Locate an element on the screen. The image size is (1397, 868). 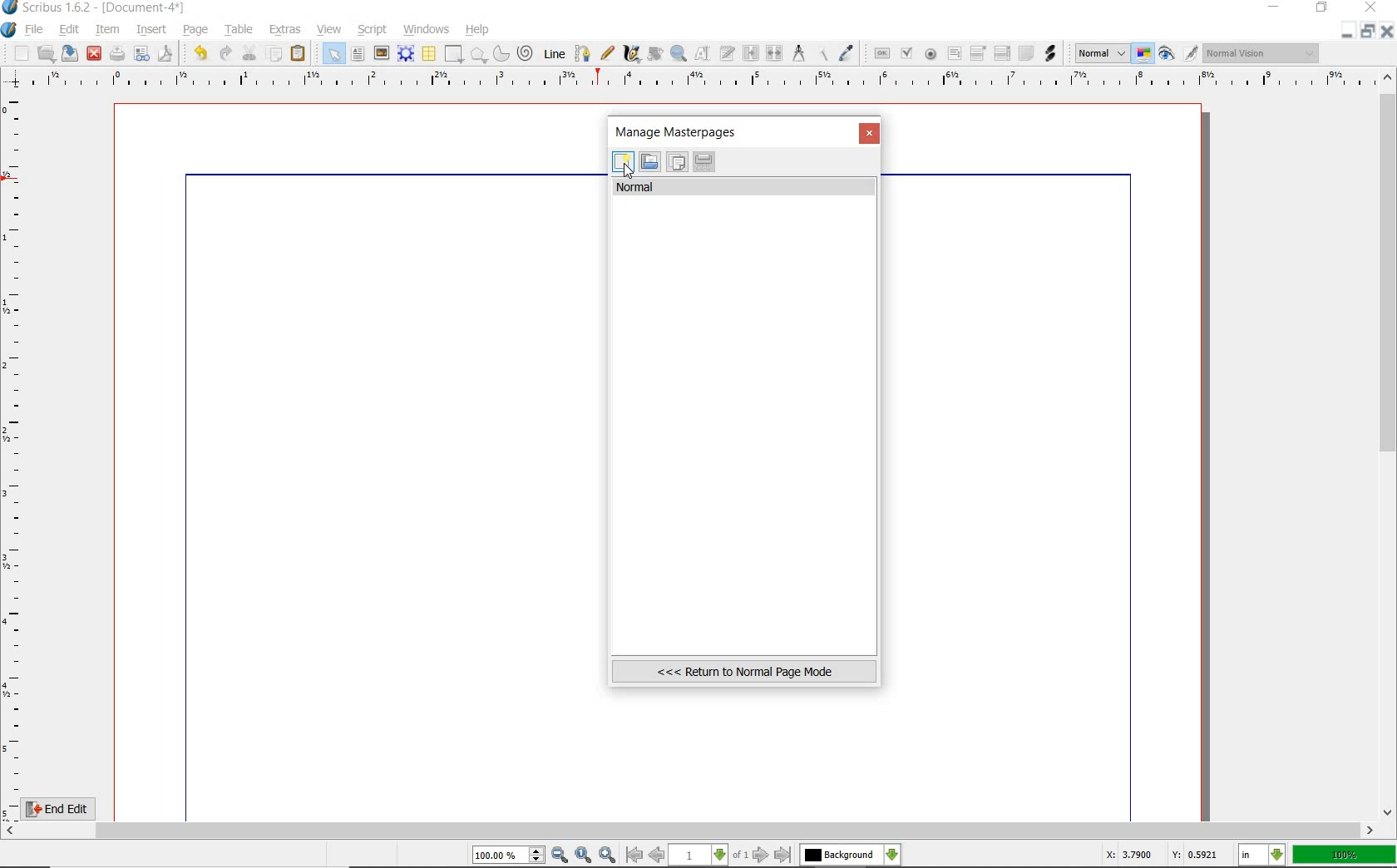
scrollbar is located at coordinates (1389, 443).